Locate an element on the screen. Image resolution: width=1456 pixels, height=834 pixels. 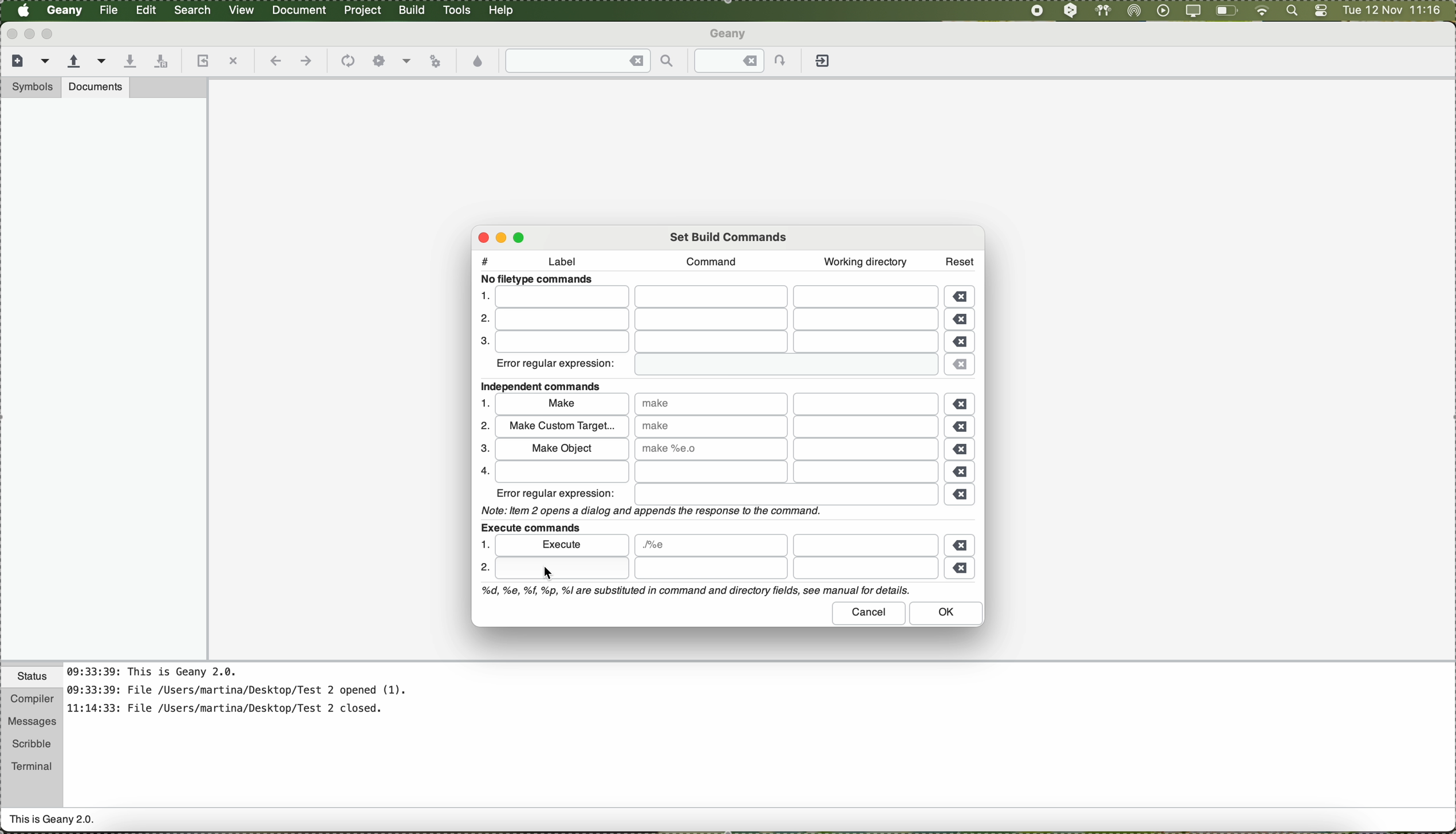
reset is located at coordinates (960, 259).